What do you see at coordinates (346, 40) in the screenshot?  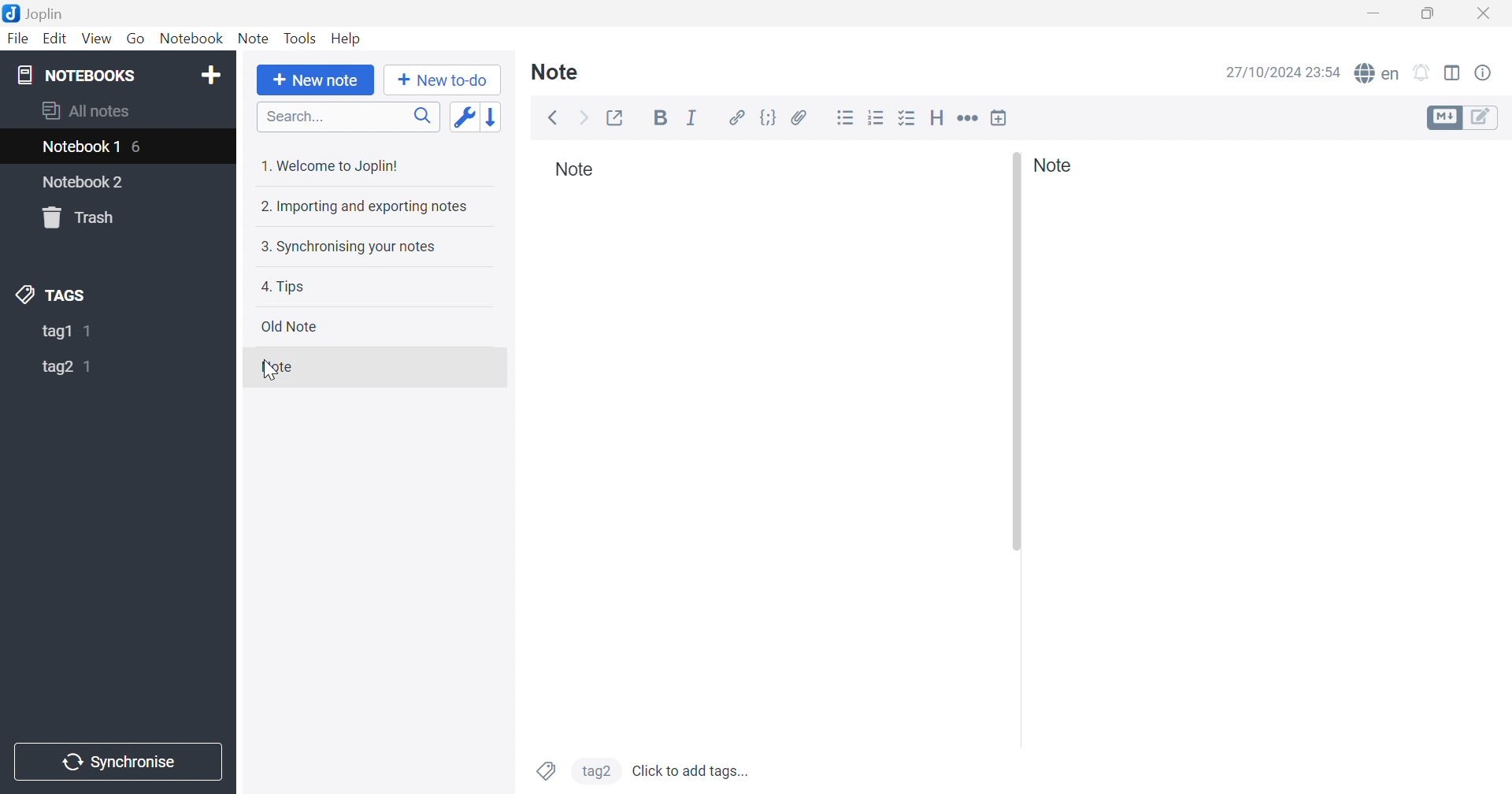 I see `Help` at bounding box center [346, 40].